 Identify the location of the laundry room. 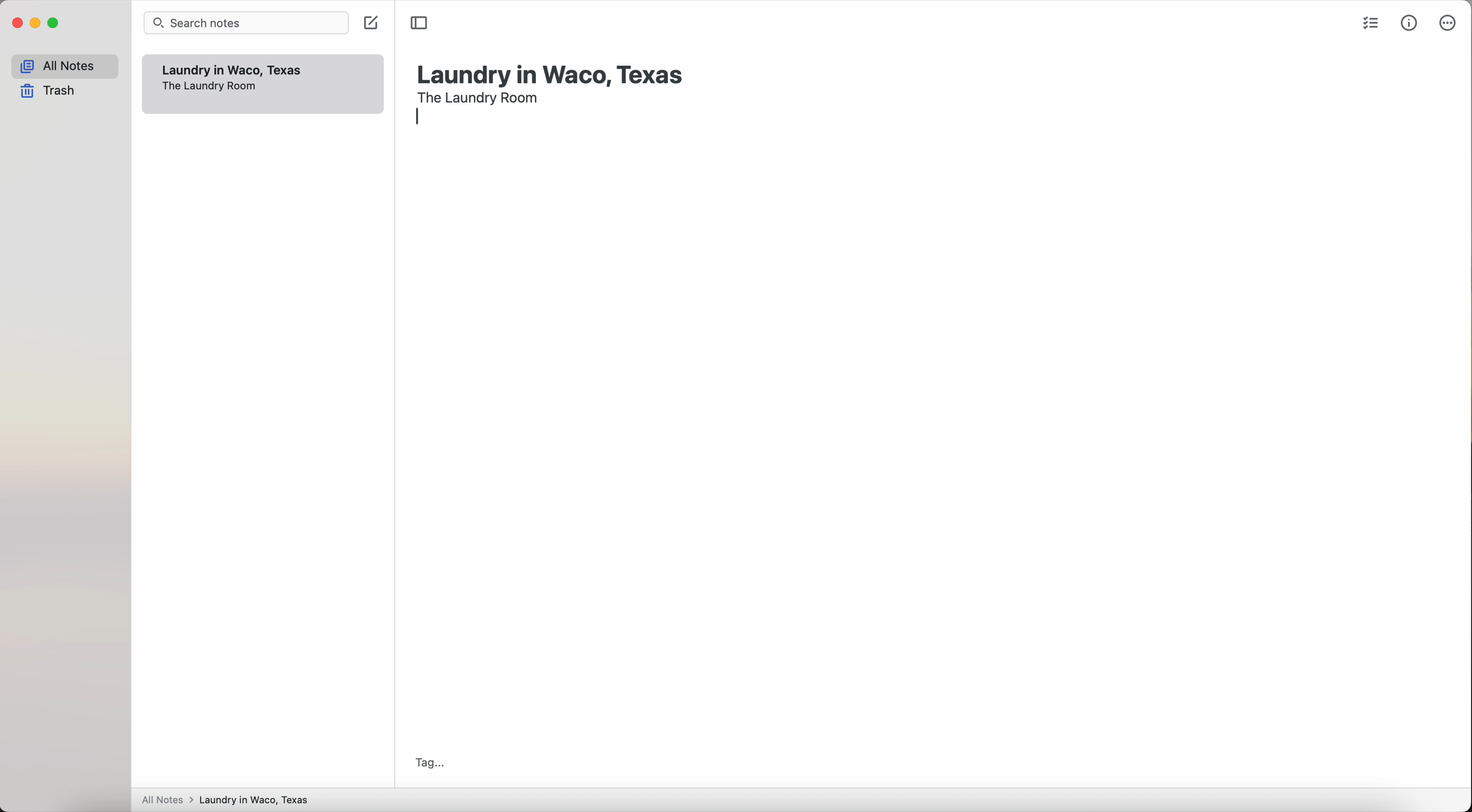
(479, 96).